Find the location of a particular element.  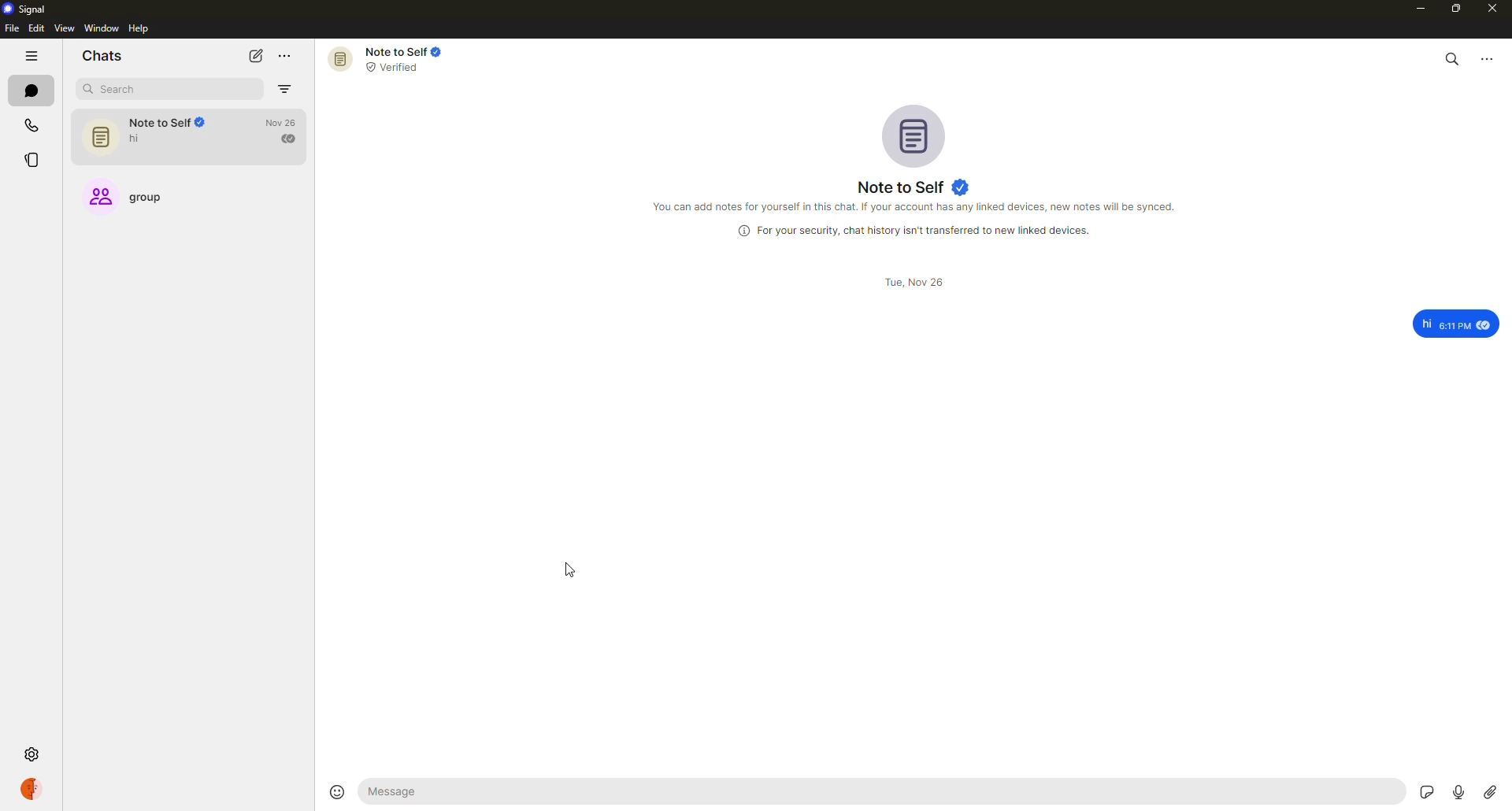

file is located at coordinates (11, 28).